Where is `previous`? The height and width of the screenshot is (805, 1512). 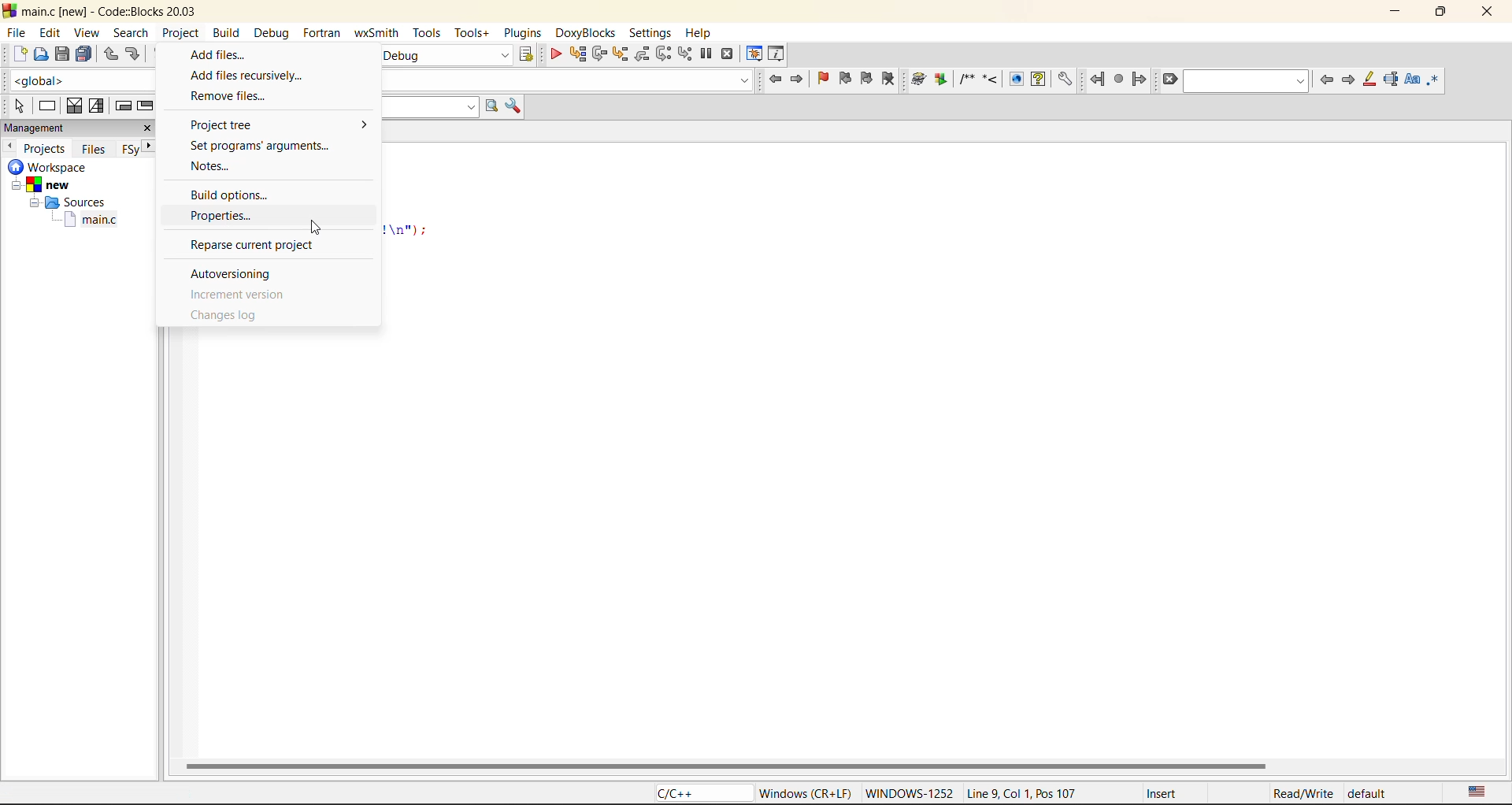 previous is located at coordinates (10, 146).